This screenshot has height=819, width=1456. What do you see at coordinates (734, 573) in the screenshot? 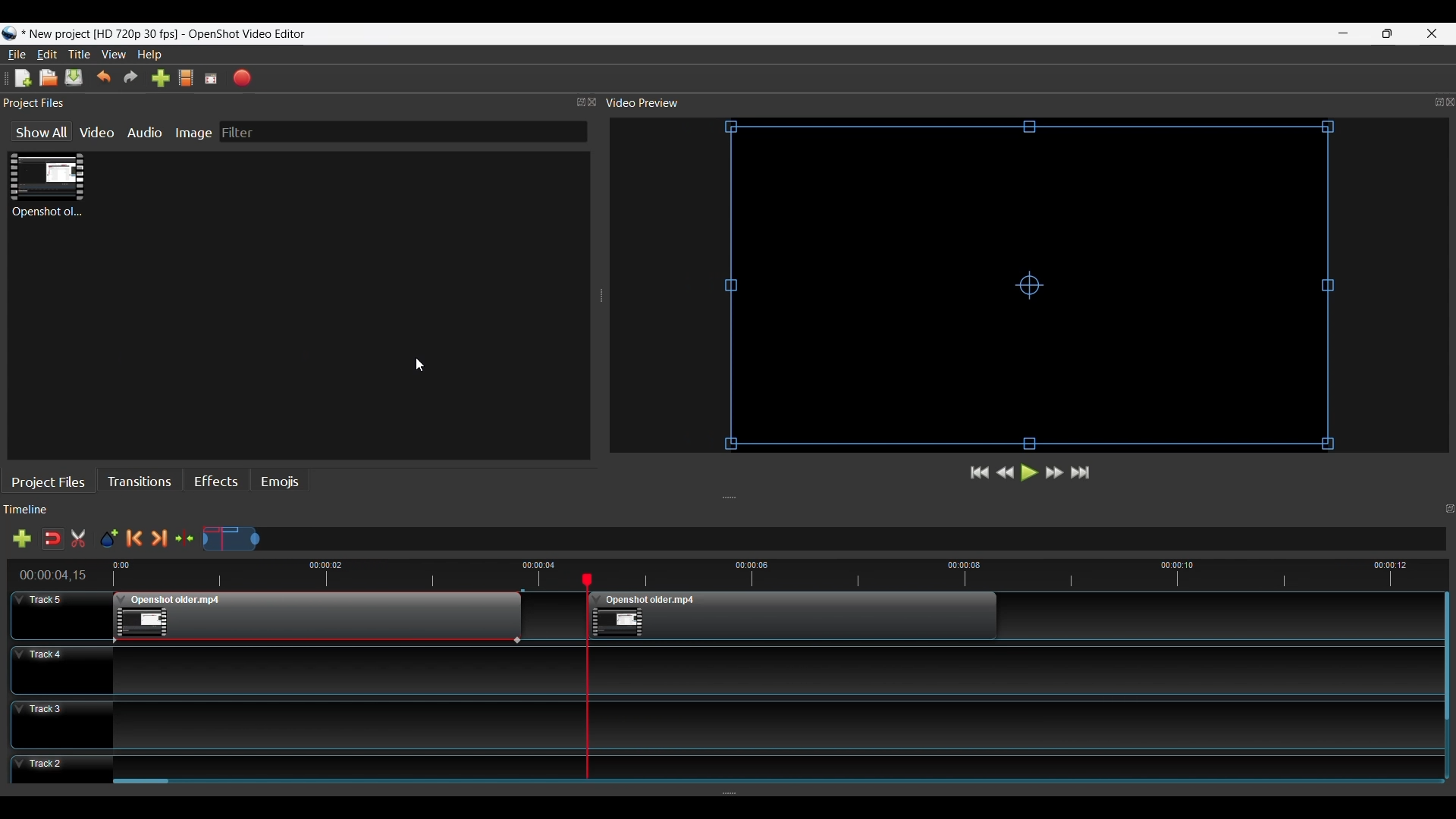
I see `Timeline` at bounding box center [734, 573].